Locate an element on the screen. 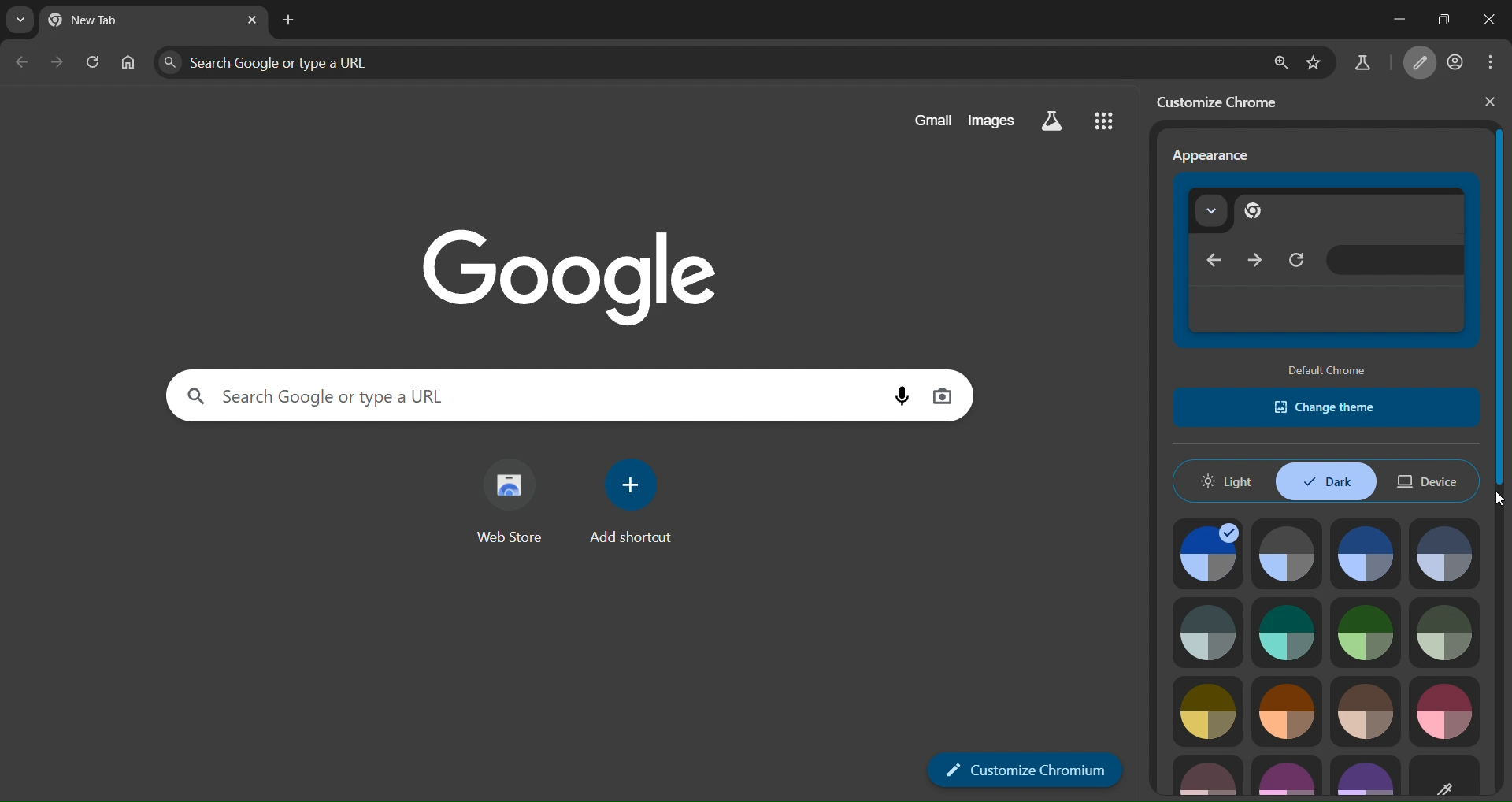  theme is located at coordinates (1445, 555).